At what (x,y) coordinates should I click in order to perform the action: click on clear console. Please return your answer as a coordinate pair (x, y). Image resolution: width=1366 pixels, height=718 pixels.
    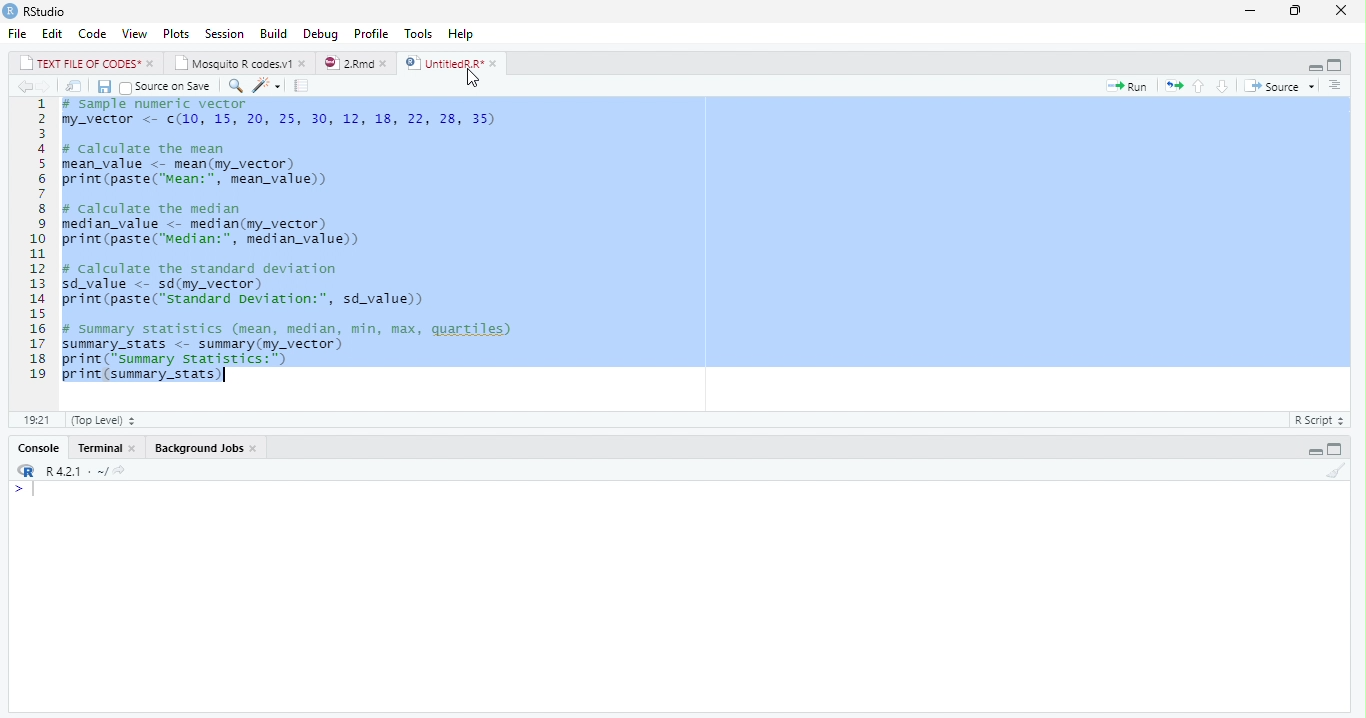
    Looking at the image, I should click on (1336, 471).